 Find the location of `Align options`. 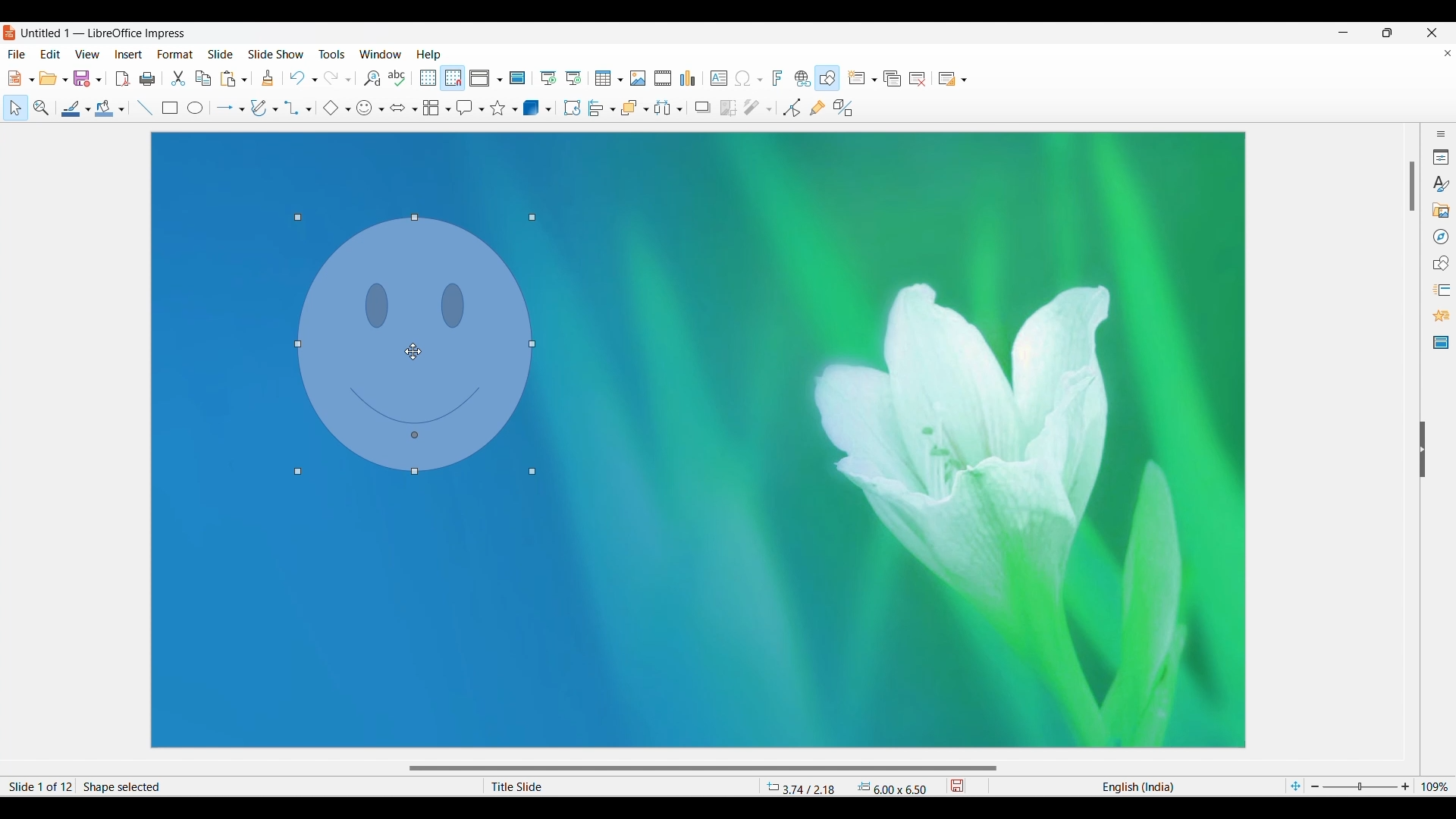

Align options is located at coordinates (613, 110).